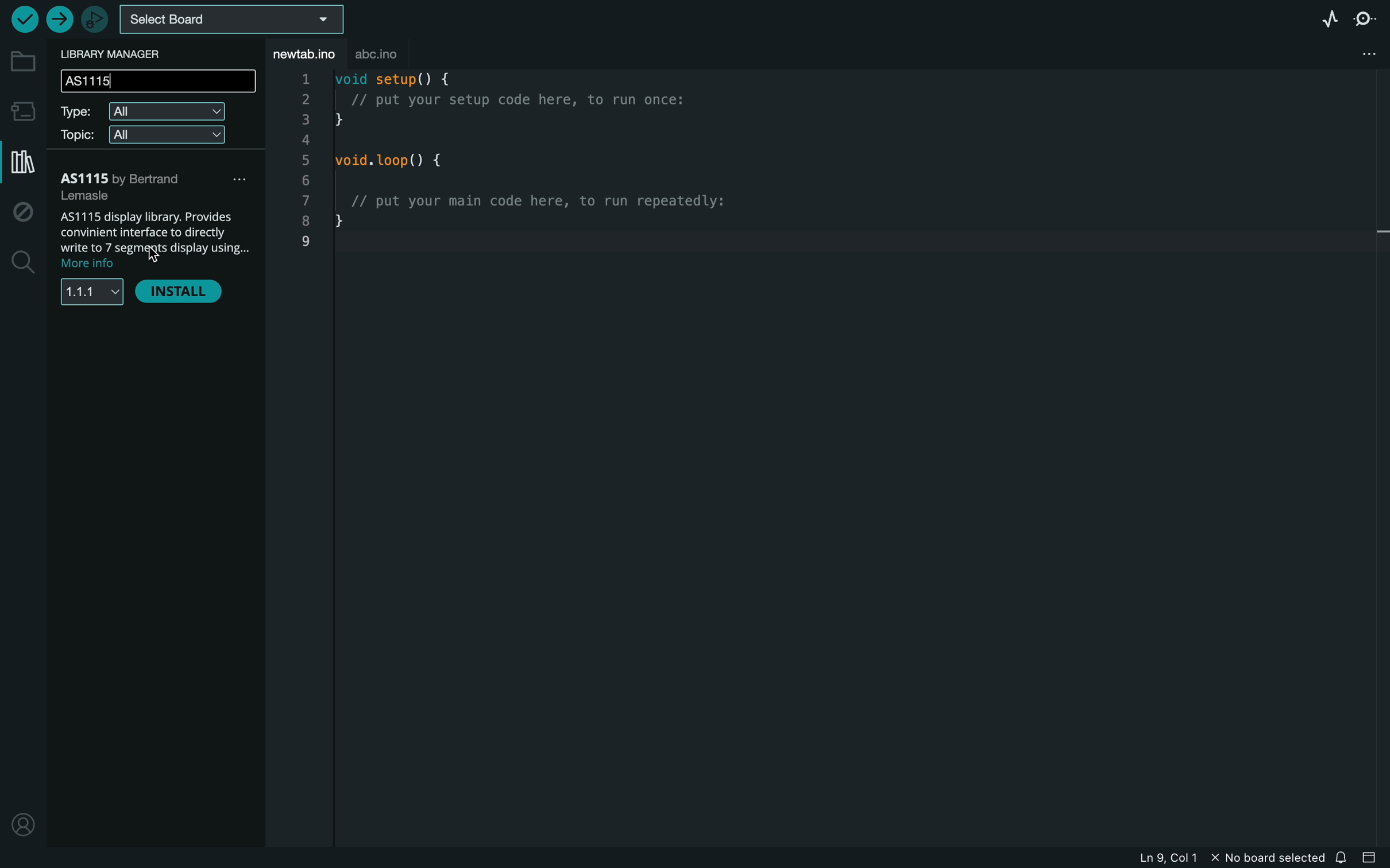 This screenshot has height=868, width=1390. I want to click on debugger, so click(96, 18).